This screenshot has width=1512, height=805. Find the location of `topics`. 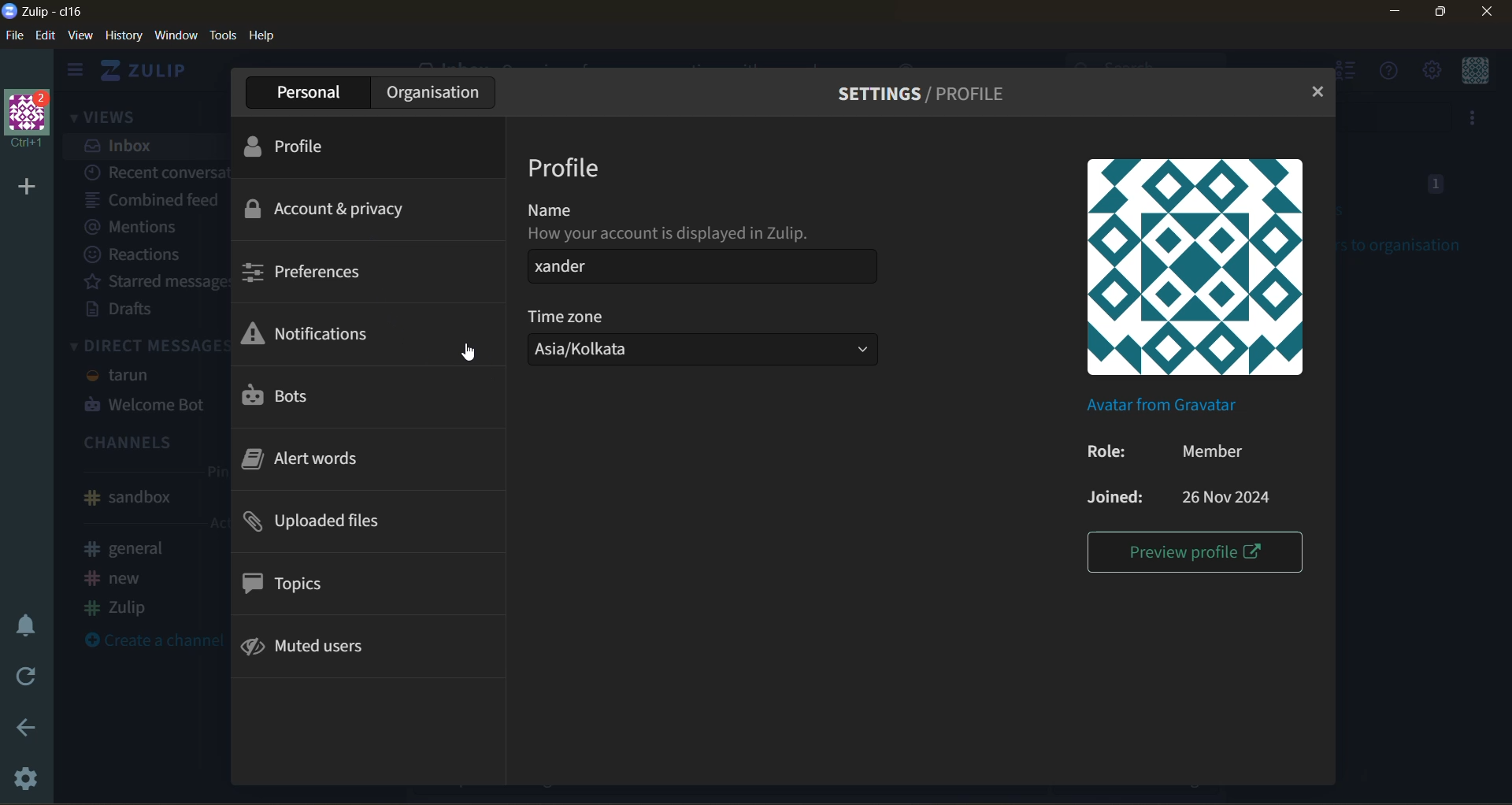

topics is located at coordinates (297, 587).